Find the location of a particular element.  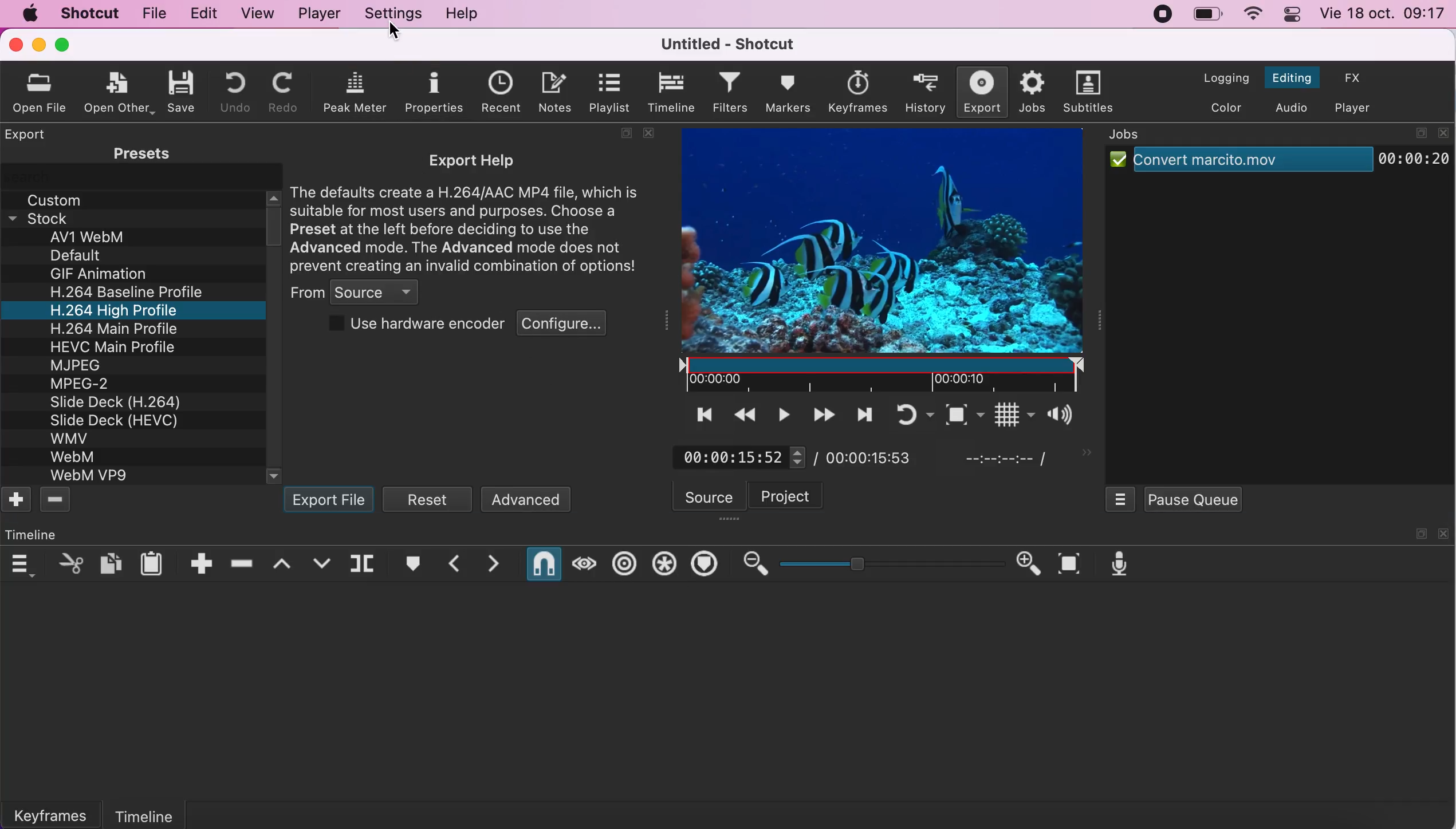

timeline is located at coordinates (173, 811).